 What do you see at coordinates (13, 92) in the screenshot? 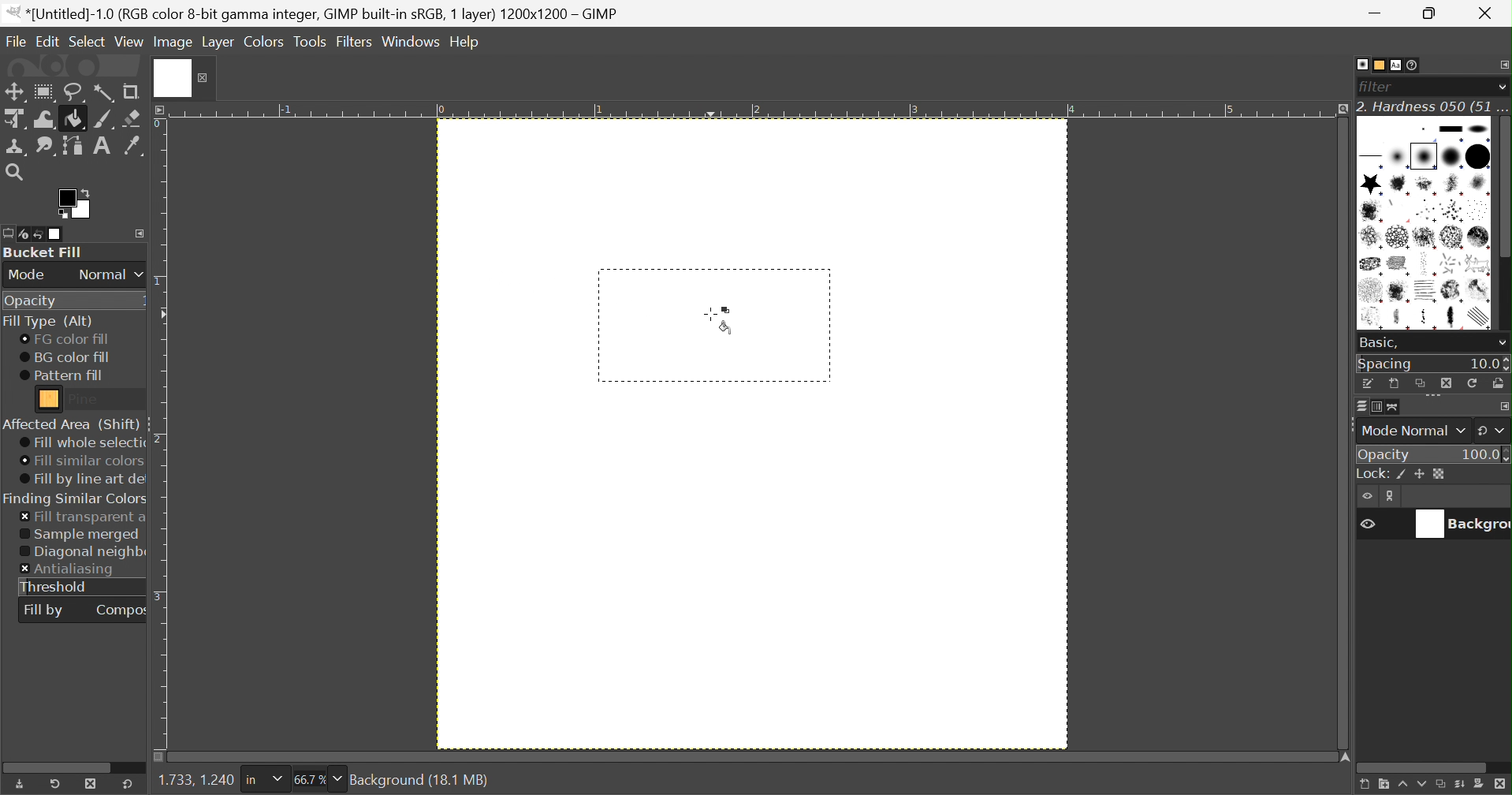
I see `Move Tool` at bounding box center [13, 92].